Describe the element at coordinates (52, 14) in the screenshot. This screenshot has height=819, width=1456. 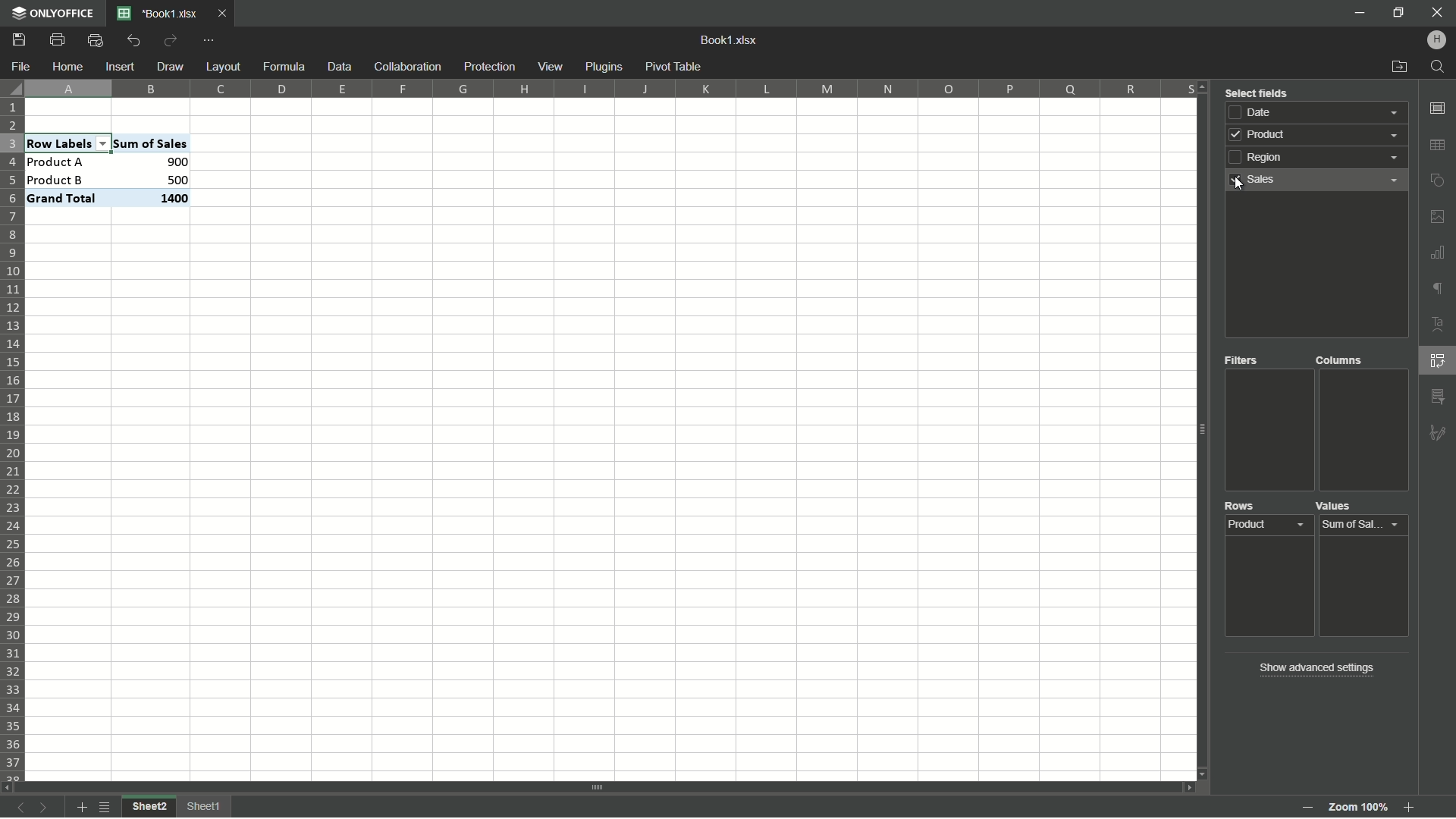
I see `app name` at that location.